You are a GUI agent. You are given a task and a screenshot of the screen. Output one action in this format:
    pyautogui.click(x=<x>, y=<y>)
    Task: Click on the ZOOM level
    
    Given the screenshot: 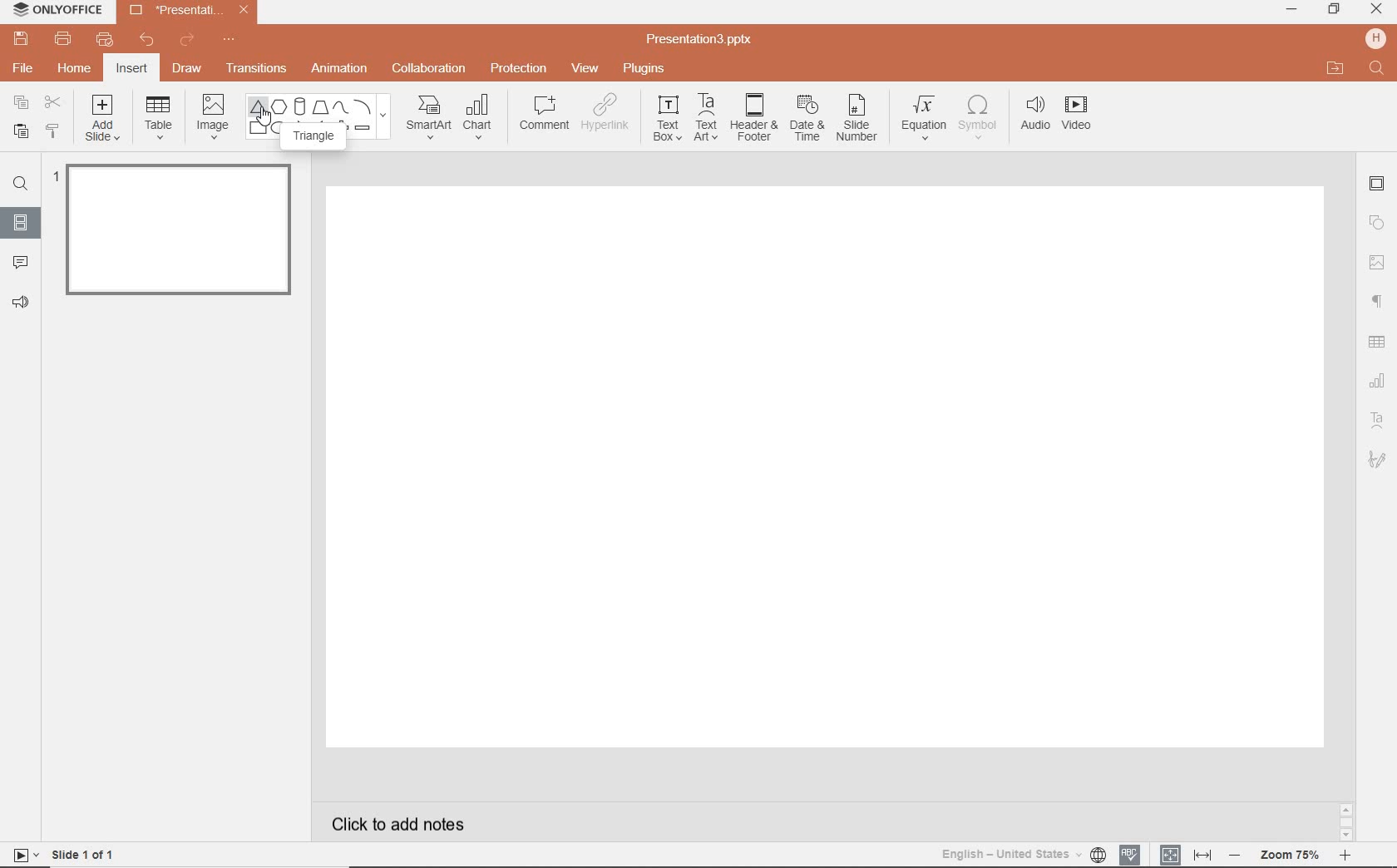 What is the action you would take?
    pyautogui.click(x=1291, y=856)
    